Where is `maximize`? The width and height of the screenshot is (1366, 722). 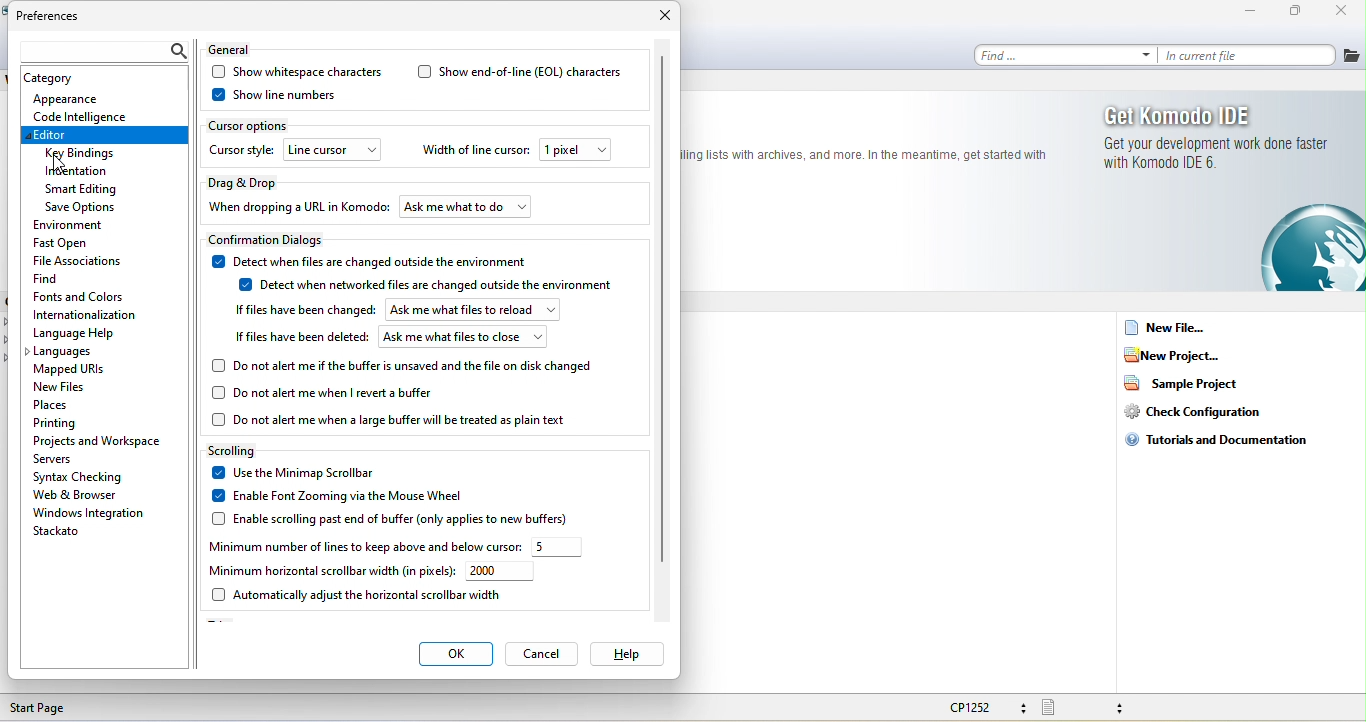
maximize is located at coordinates (1300, 11).